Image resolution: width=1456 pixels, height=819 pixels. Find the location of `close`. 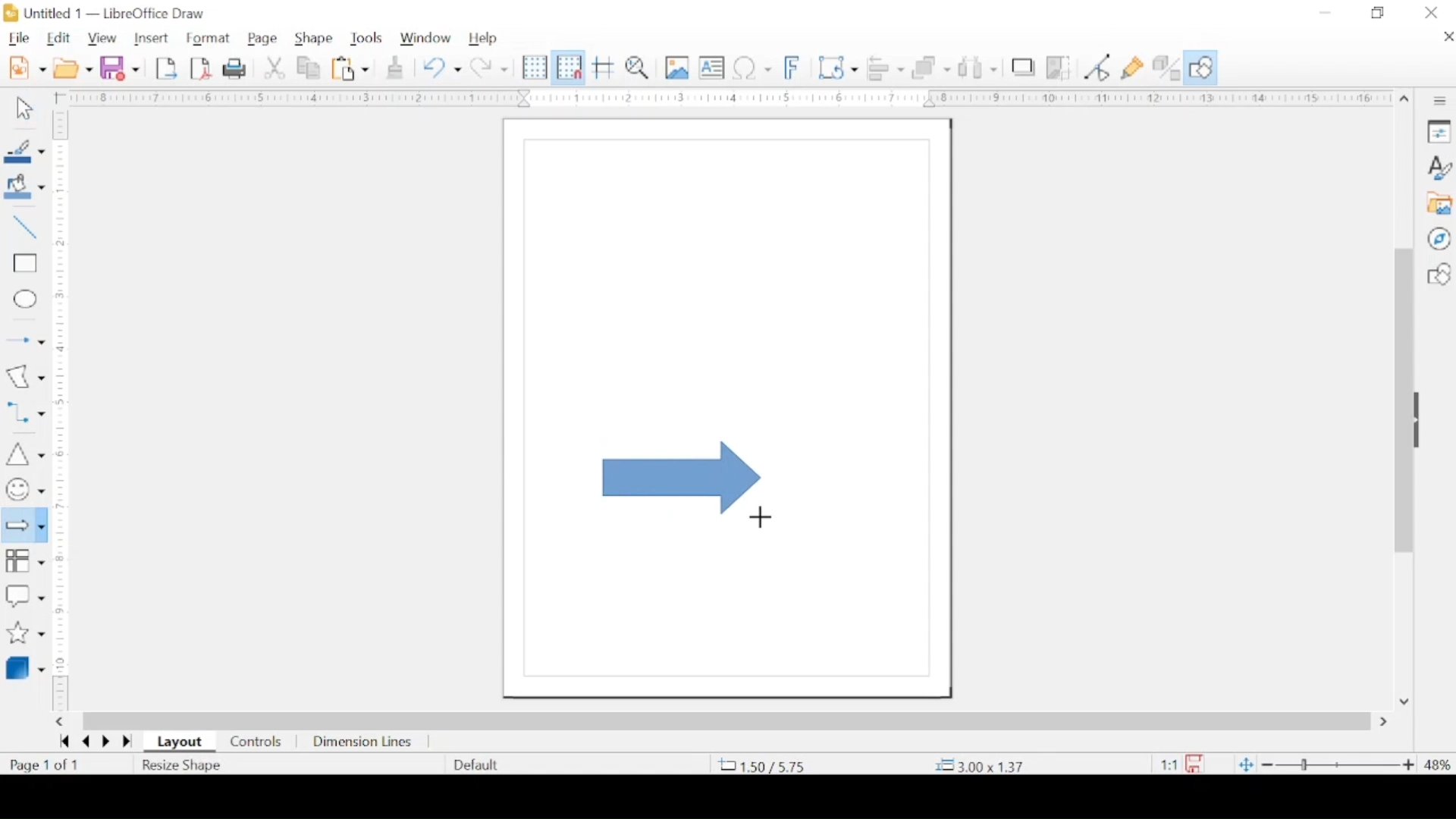

close is located at coordinates (1447, 36).